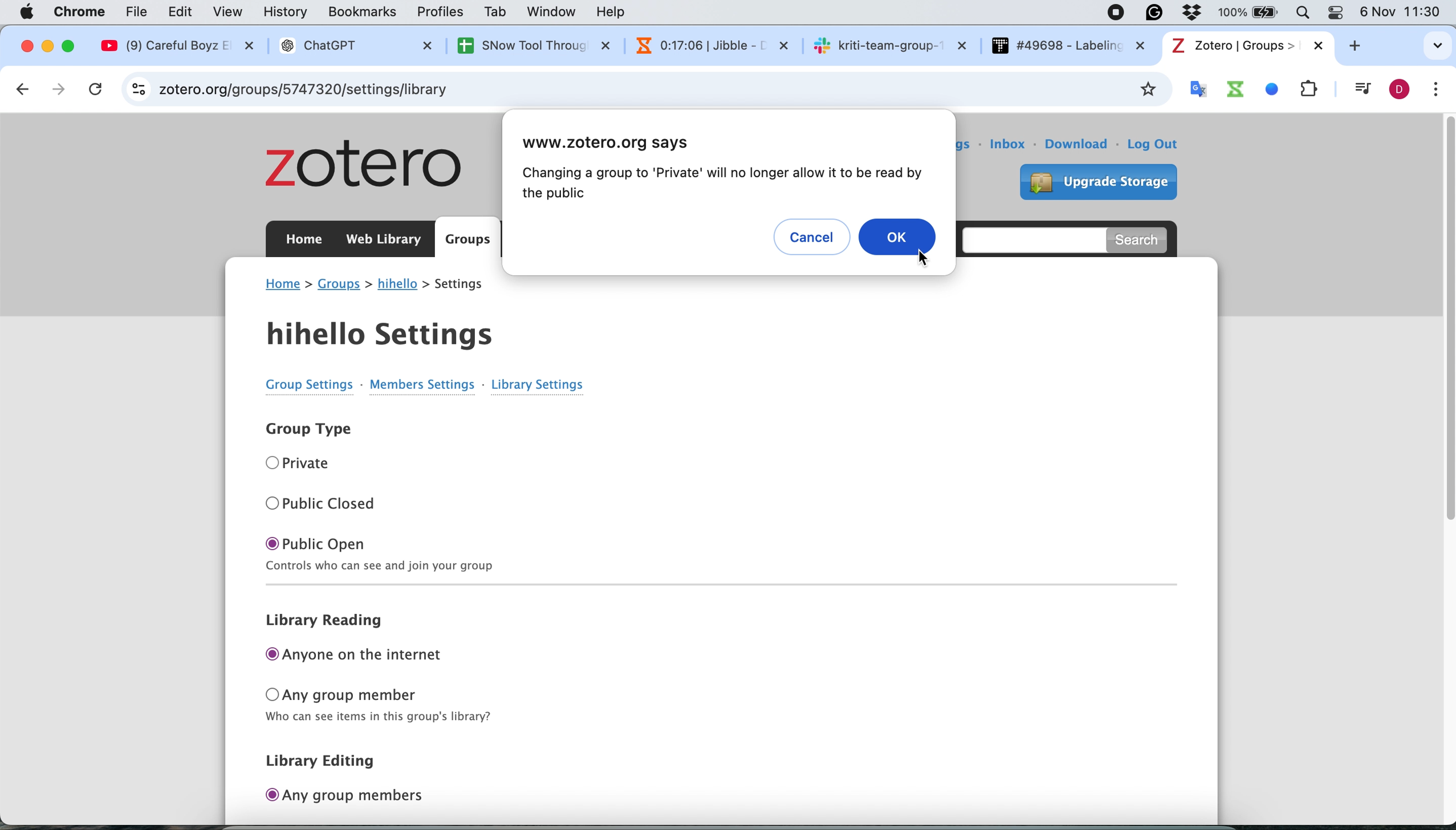  Describe the element at coordinates (693, 586) in the screenshot. I see `Line` at that location.